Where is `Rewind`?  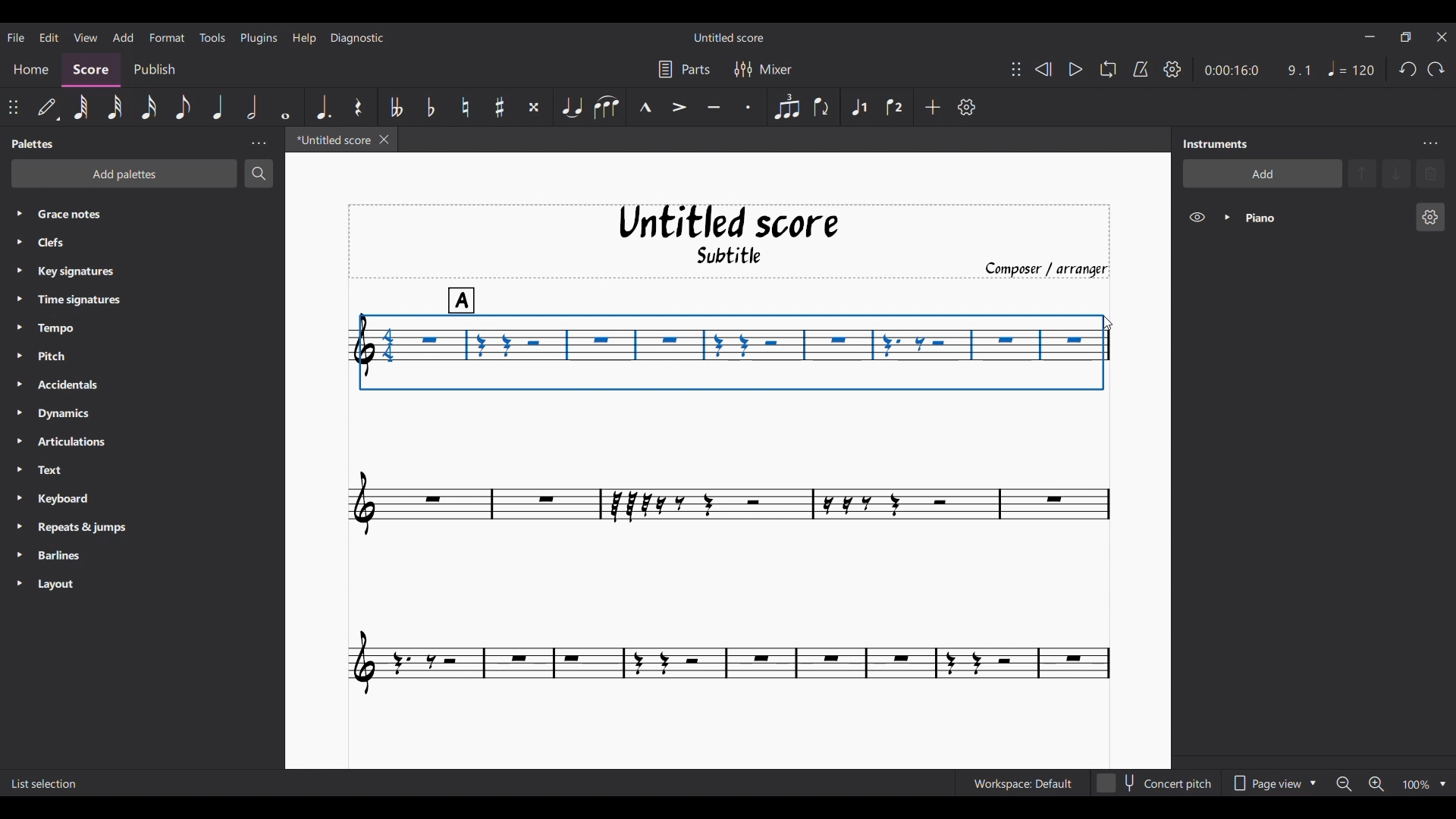 Rewind is located at coordinates (1043, 69).